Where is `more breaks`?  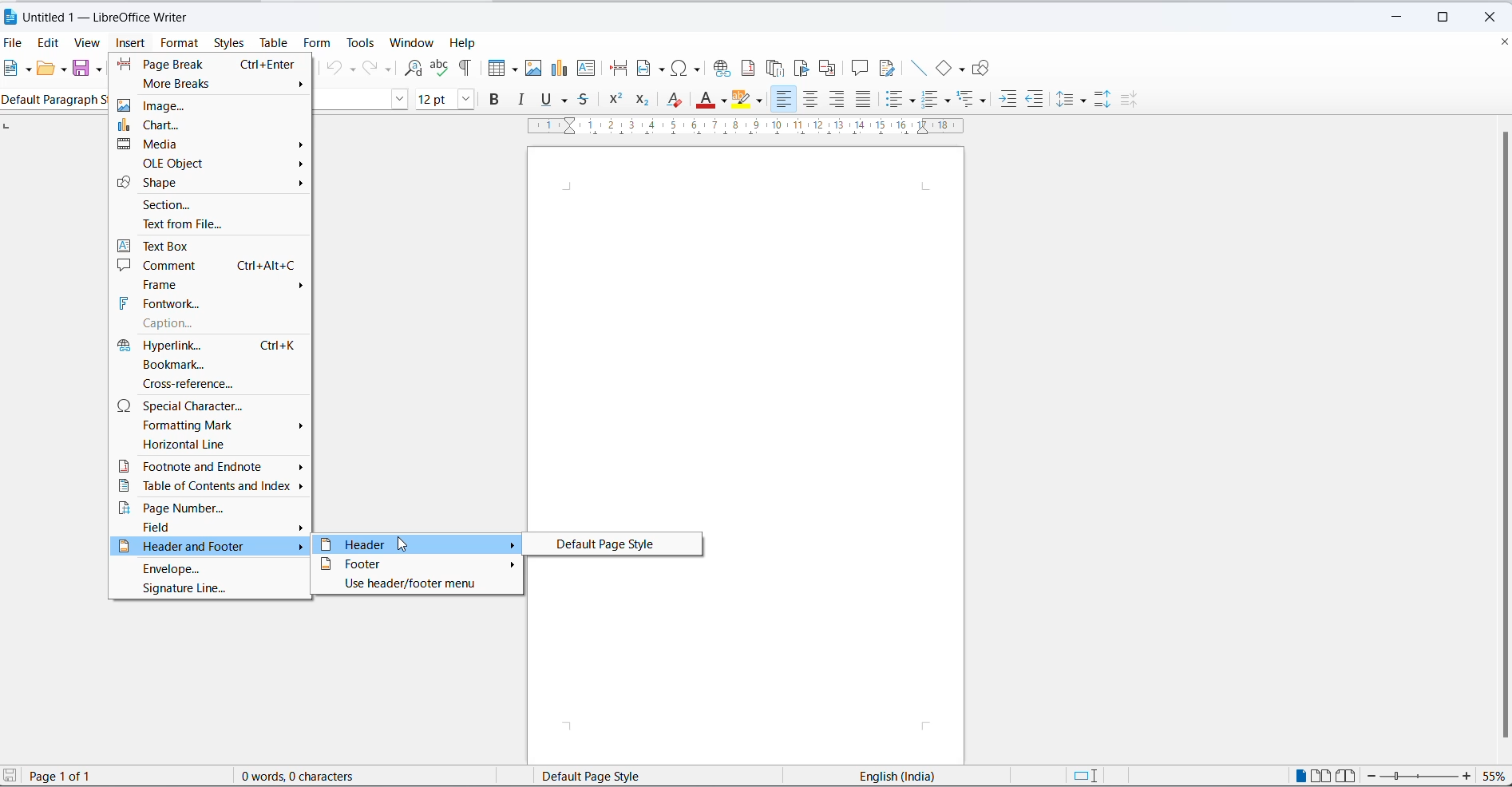
more breaks is located at coordinates (213, 85).